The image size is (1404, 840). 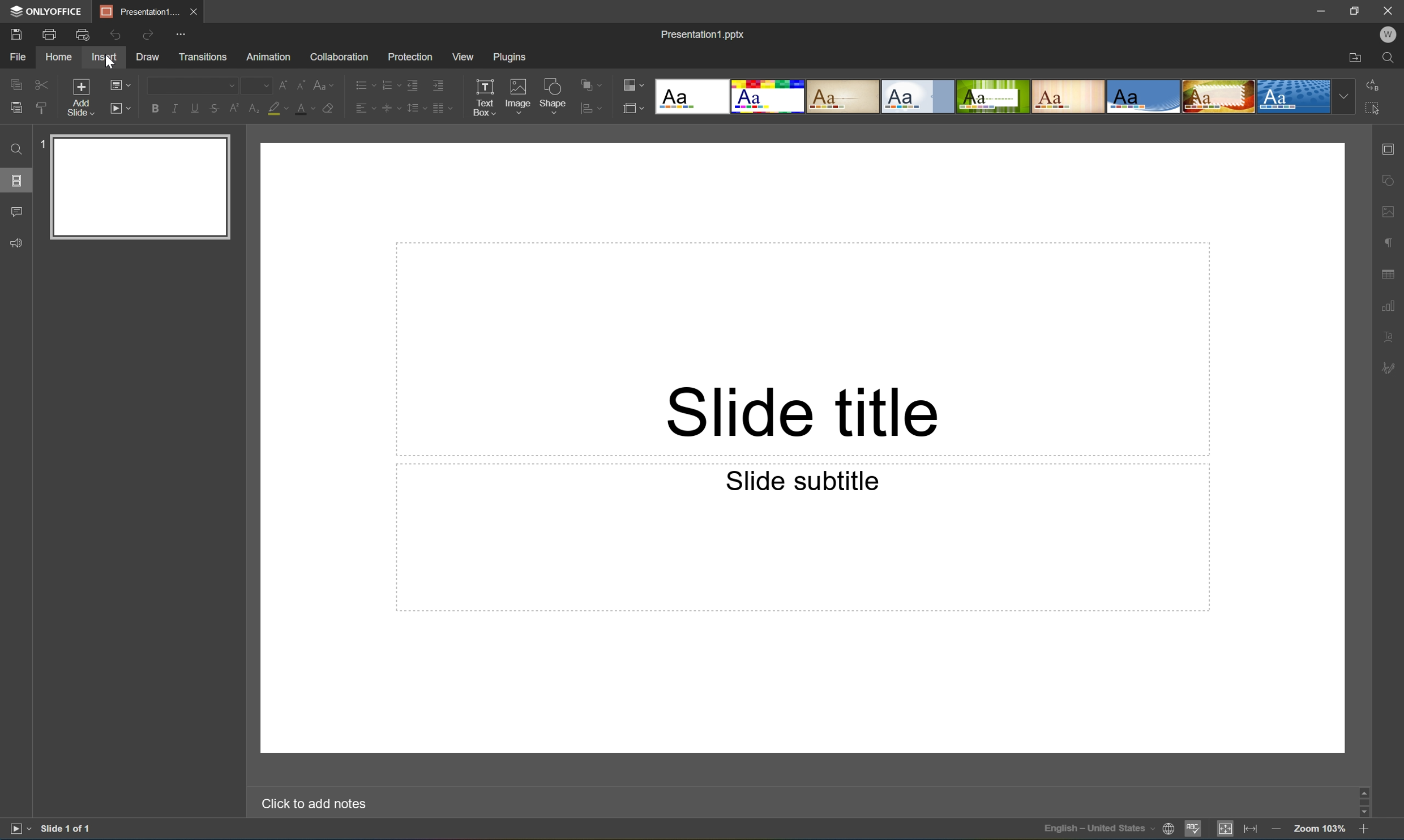 I want to click on Select slide size, so click(x=632, y=108).